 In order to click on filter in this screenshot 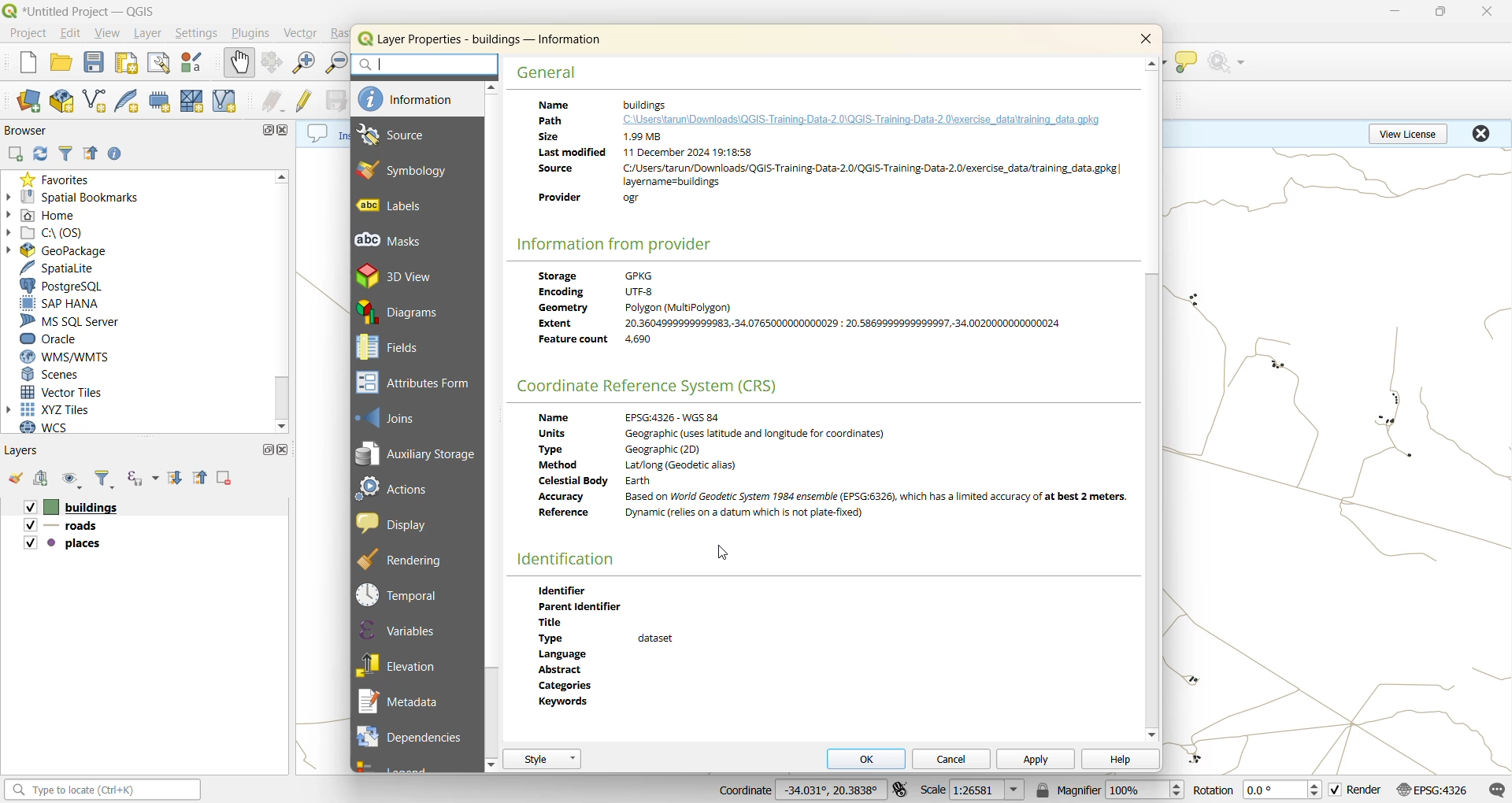, I will do `click(106, 481)`.